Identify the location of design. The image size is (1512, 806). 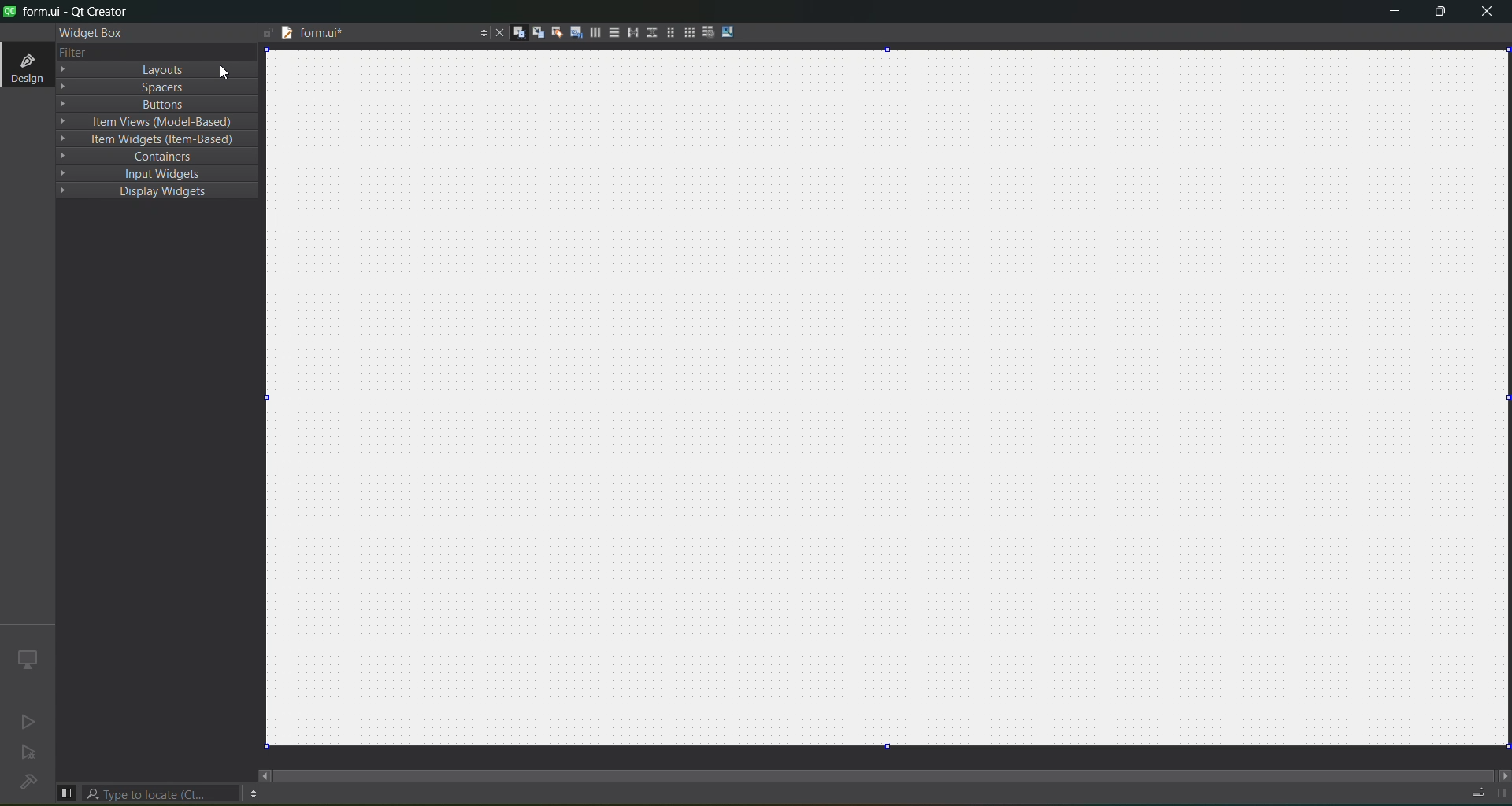
(25, 66).